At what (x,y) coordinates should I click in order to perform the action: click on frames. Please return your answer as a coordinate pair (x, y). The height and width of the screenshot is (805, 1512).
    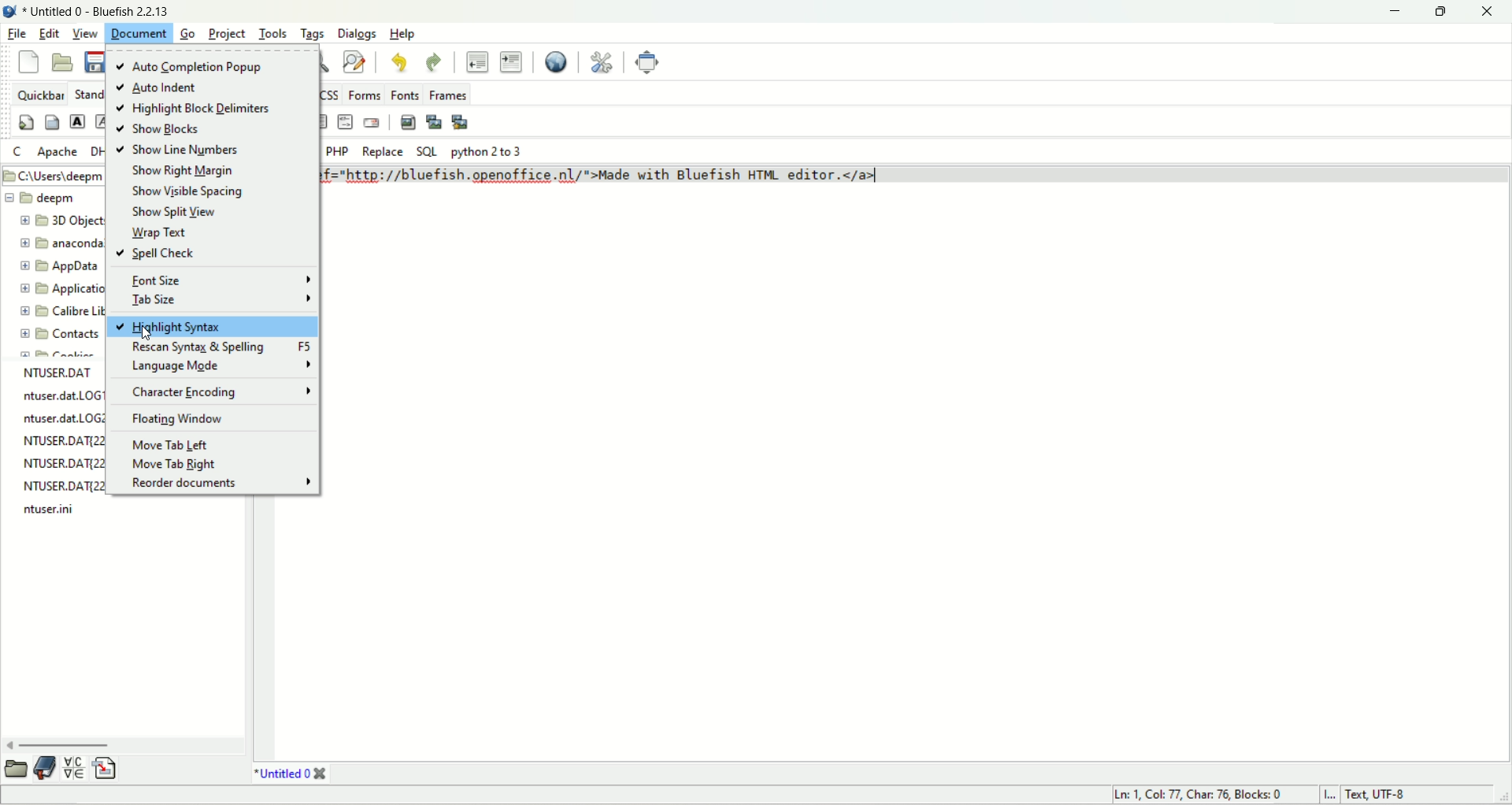
    Looking at the image, I should click on (447, 95).